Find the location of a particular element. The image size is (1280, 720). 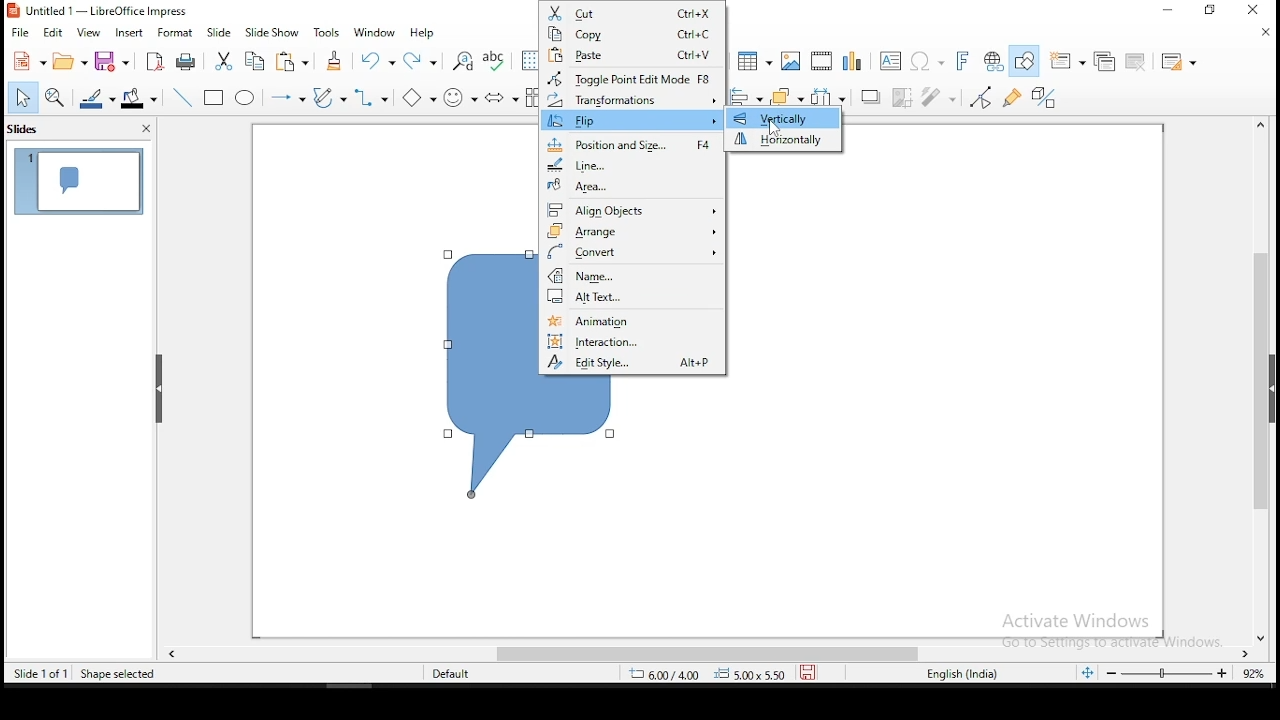

close pane is located at coordinates (145, 128).